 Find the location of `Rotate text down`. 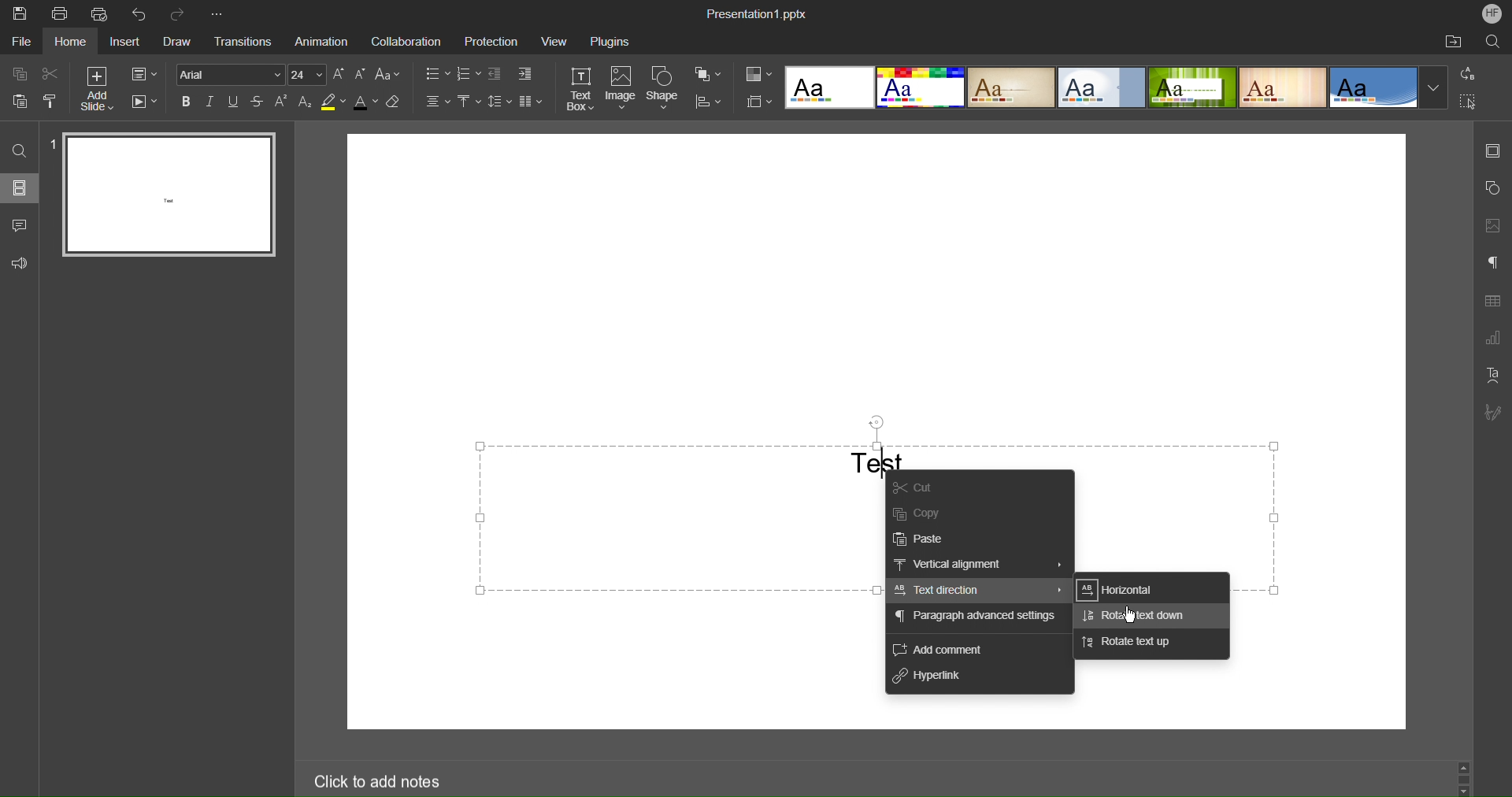

Rotate text down is located at coordinates (1150, 616).